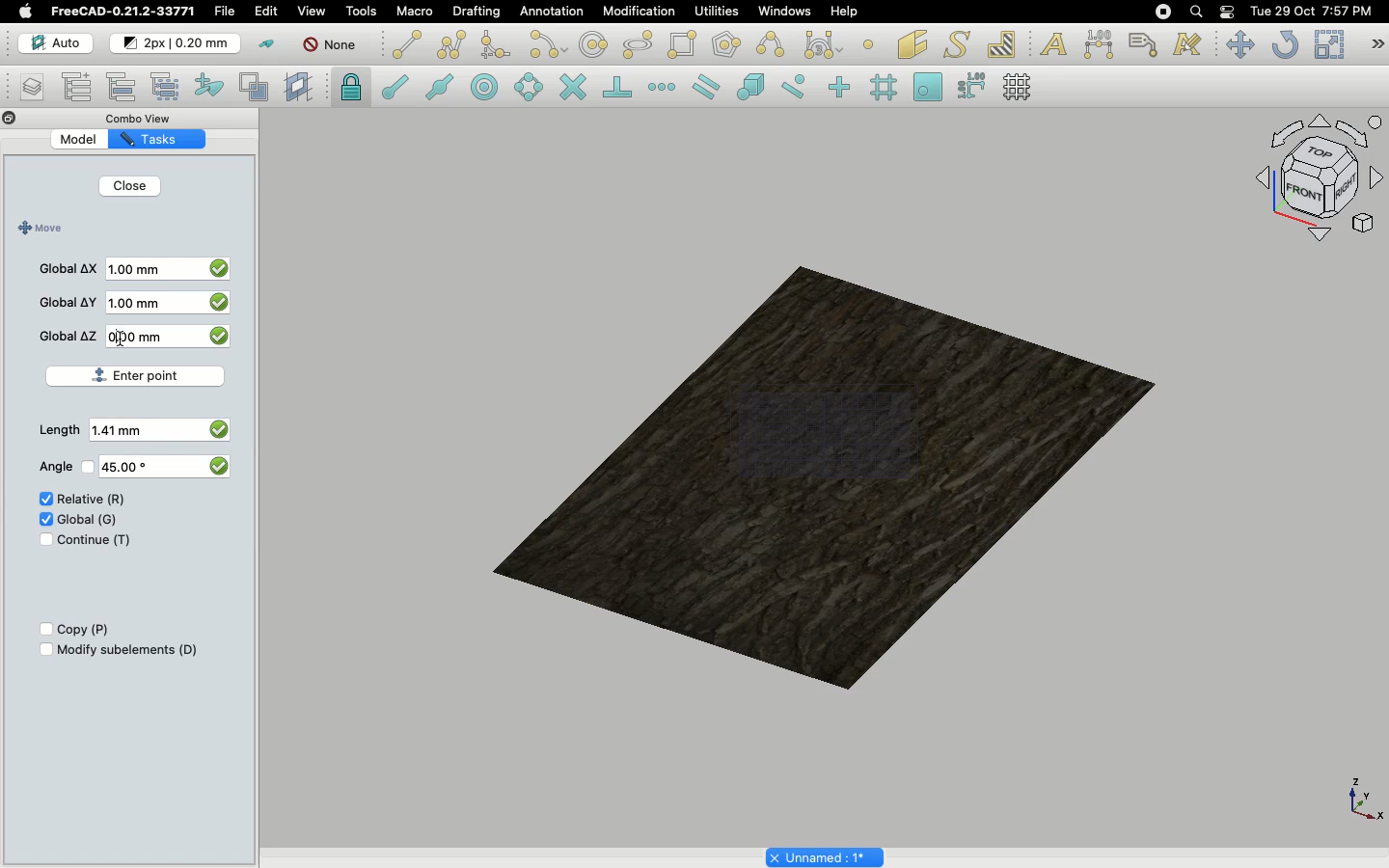 This screenshot has height=868, width=1389. I want to click on Windows, so click(789, 14).